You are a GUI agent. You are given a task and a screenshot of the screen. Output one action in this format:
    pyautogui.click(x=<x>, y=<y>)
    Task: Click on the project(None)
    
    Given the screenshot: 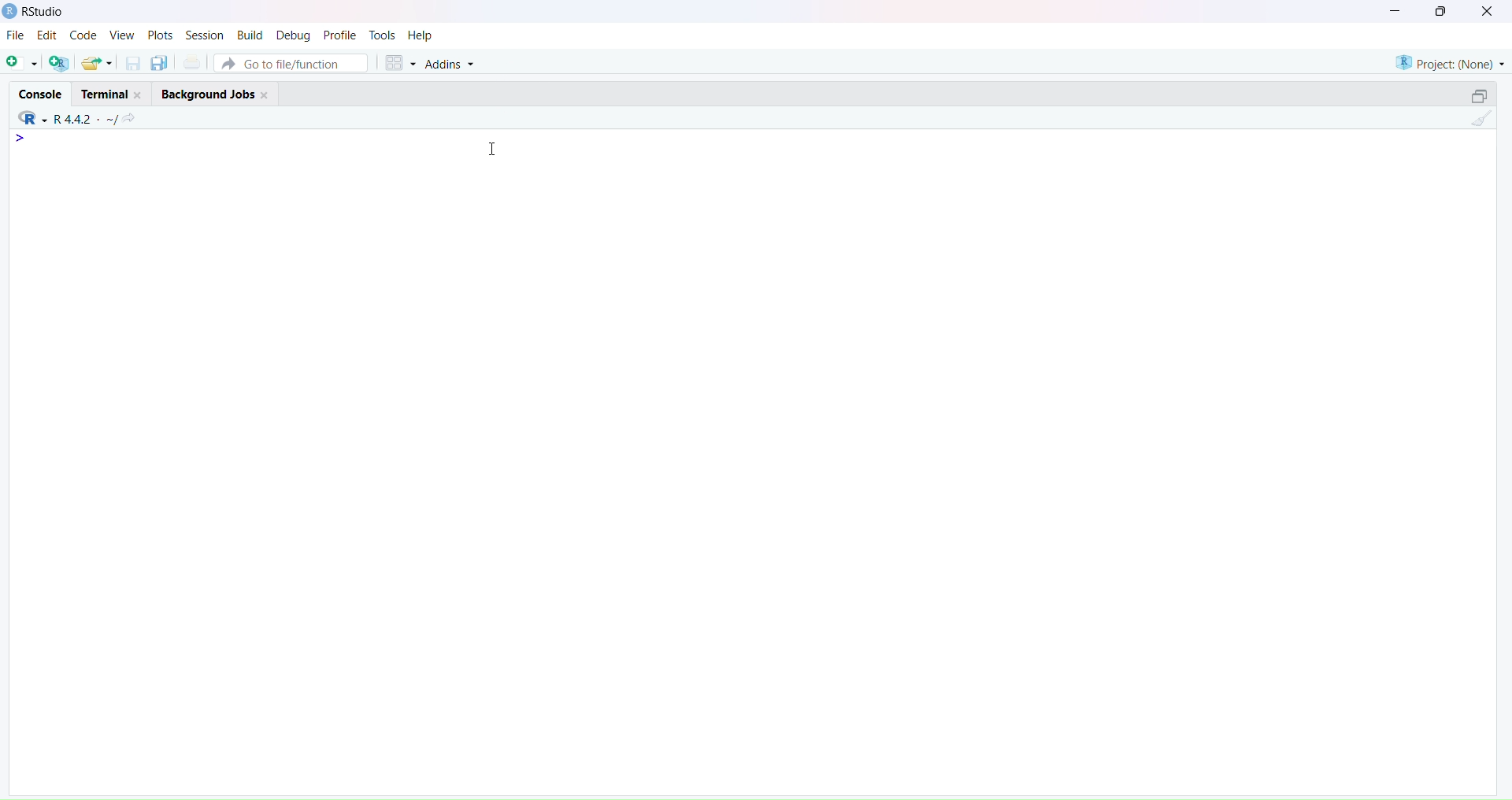 What is the action you would take?
    pyautogui.click(x=1447, y=62)
    